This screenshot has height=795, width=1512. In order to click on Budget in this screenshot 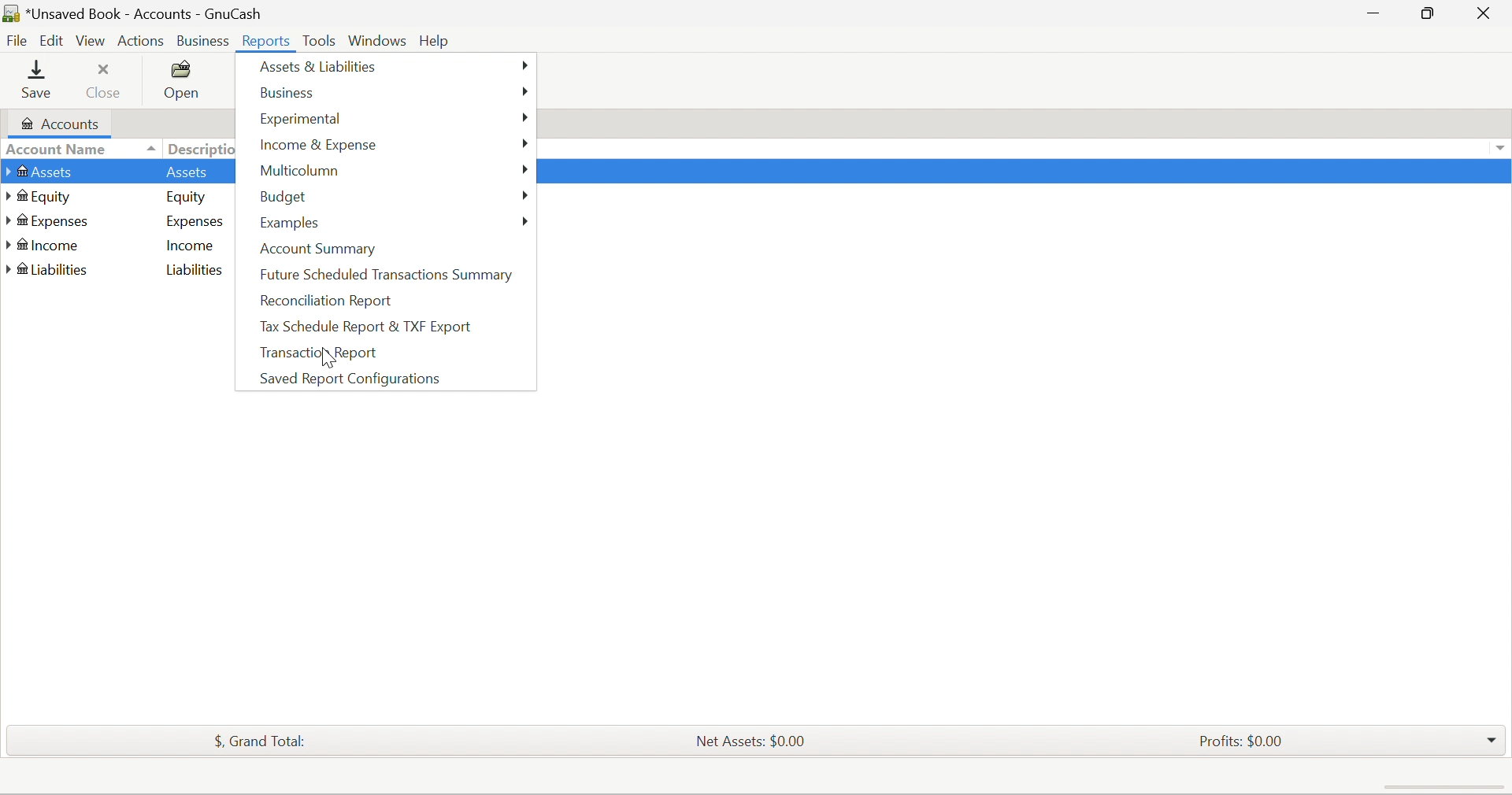, I will do `click(284, 197)`.